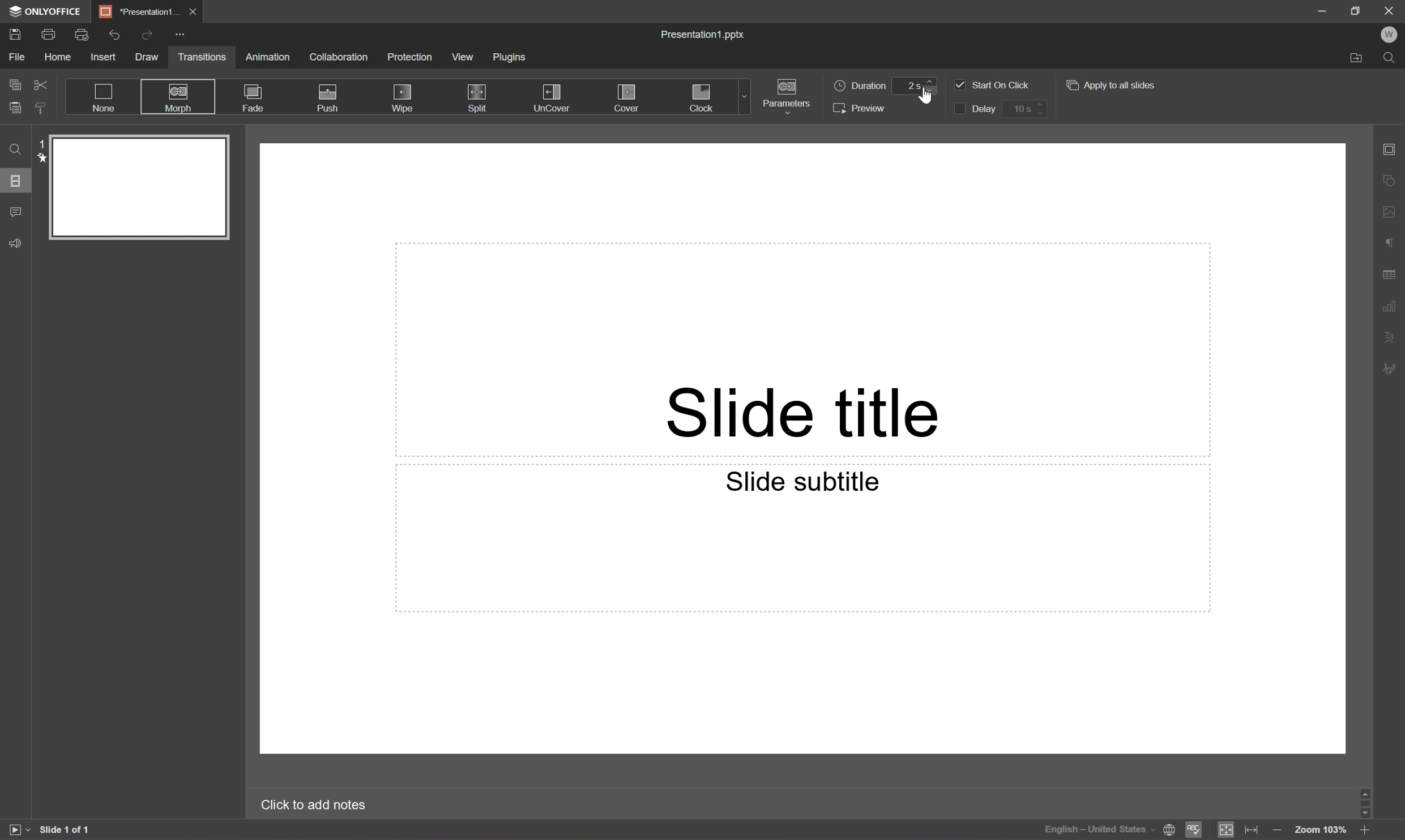 This screenshot has width=1405, height=840. What do you see at coordinates (1391, 151) in the screenshot?
I see `Slide settings` at bounding box center [1391, 151].